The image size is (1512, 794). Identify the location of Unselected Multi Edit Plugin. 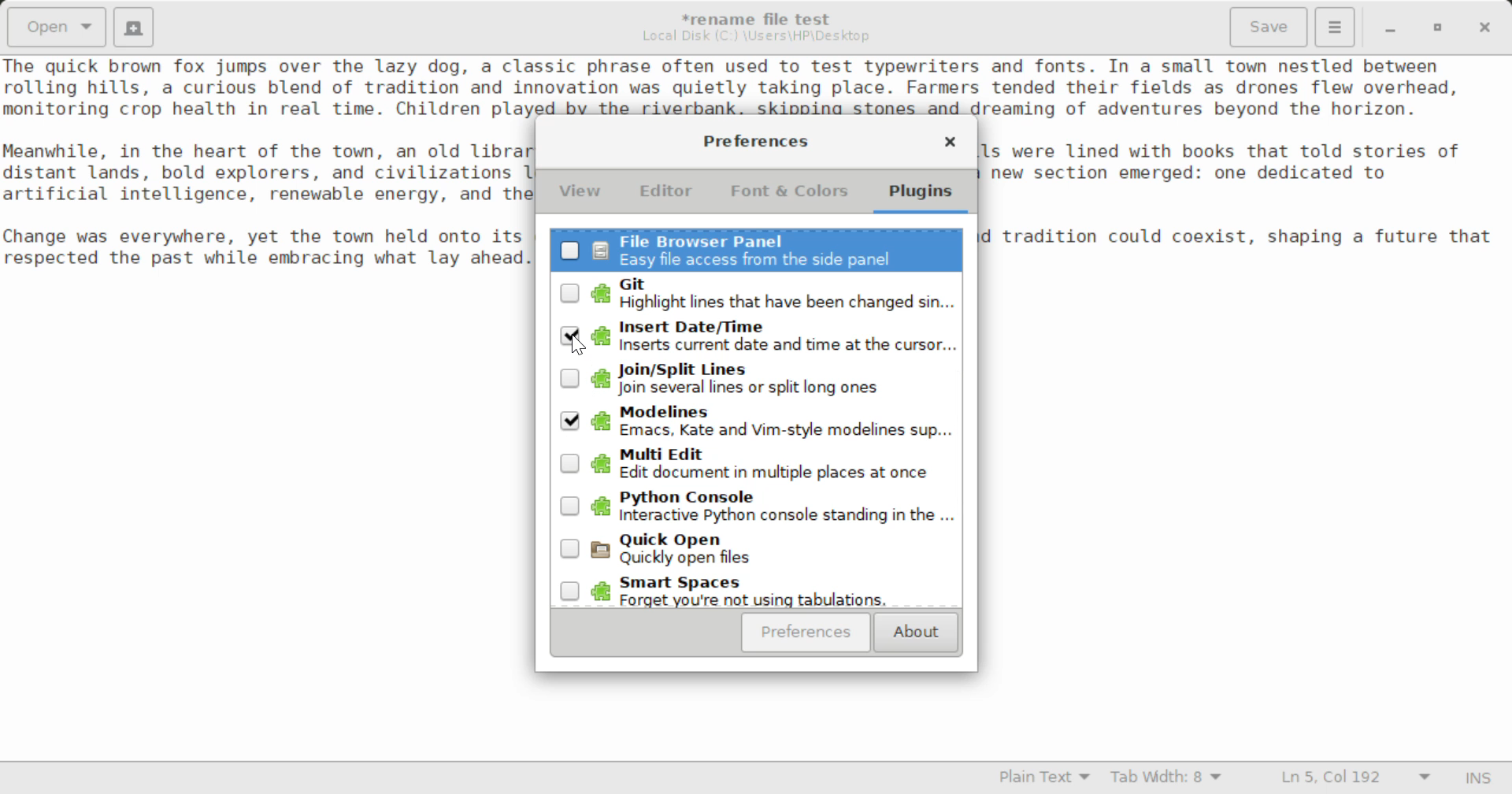
(754, 466).